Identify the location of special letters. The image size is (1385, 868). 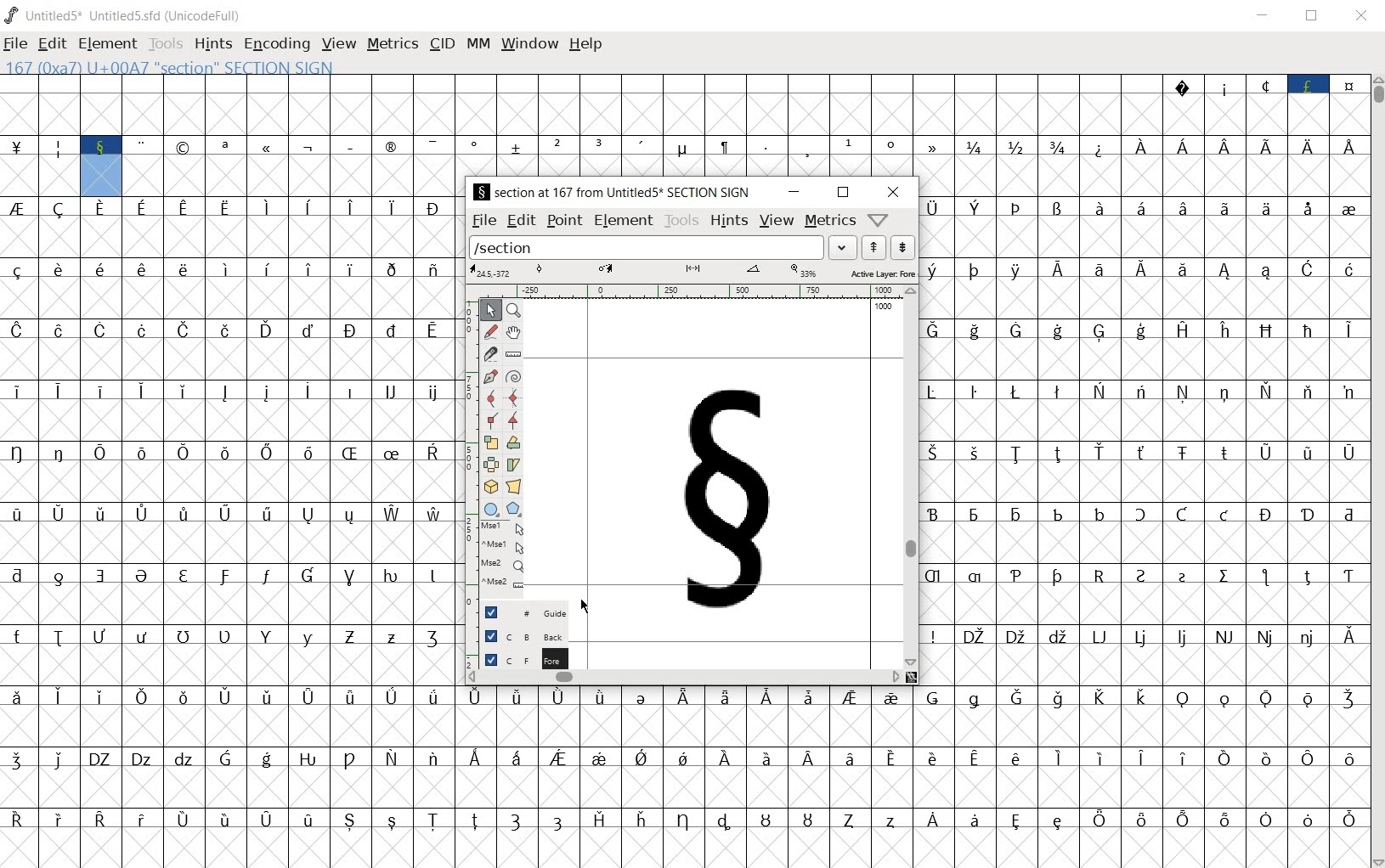
(229, 514).